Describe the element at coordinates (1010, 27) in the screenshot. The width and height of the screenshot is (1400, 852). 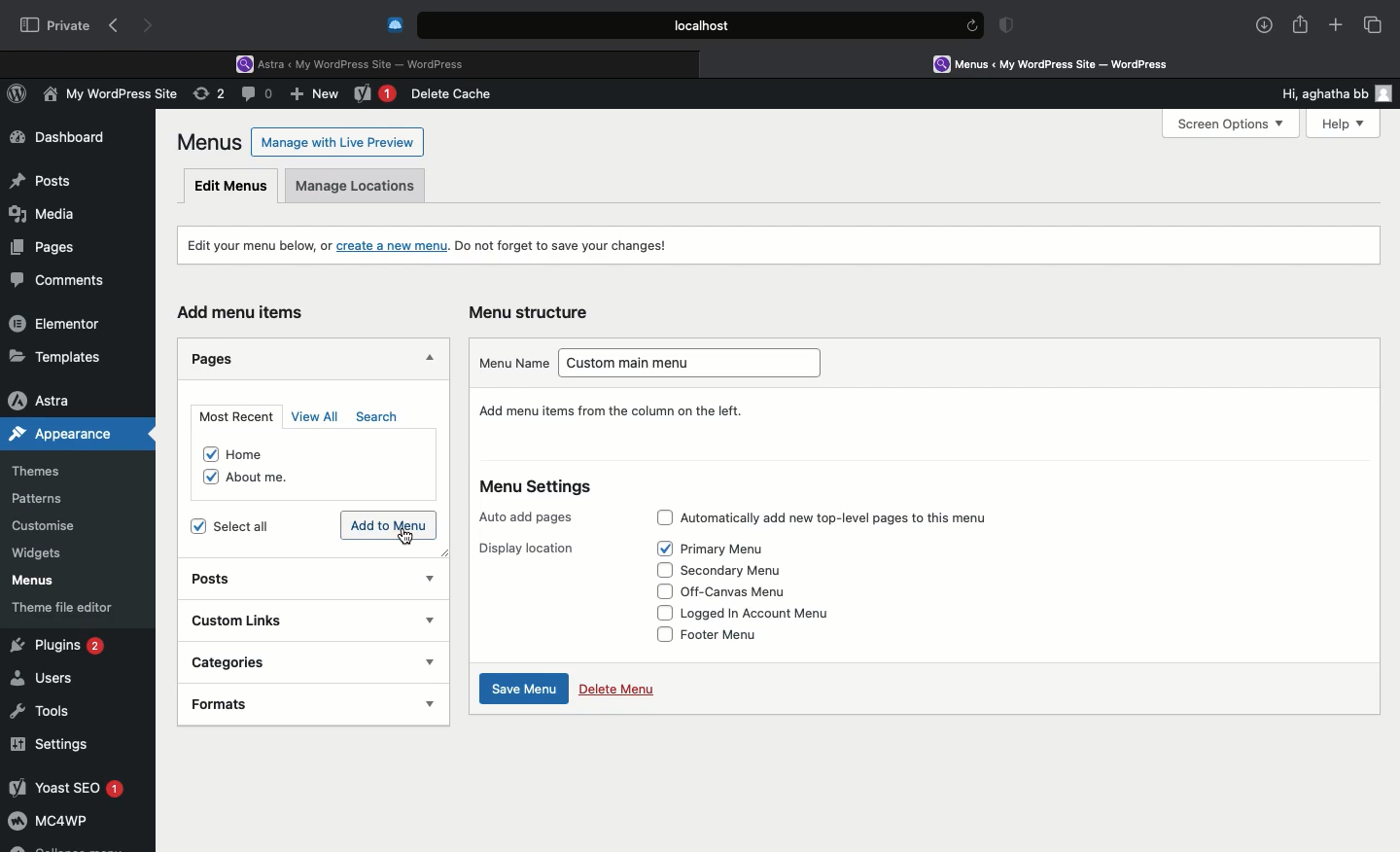
I see `Badge` at that location.